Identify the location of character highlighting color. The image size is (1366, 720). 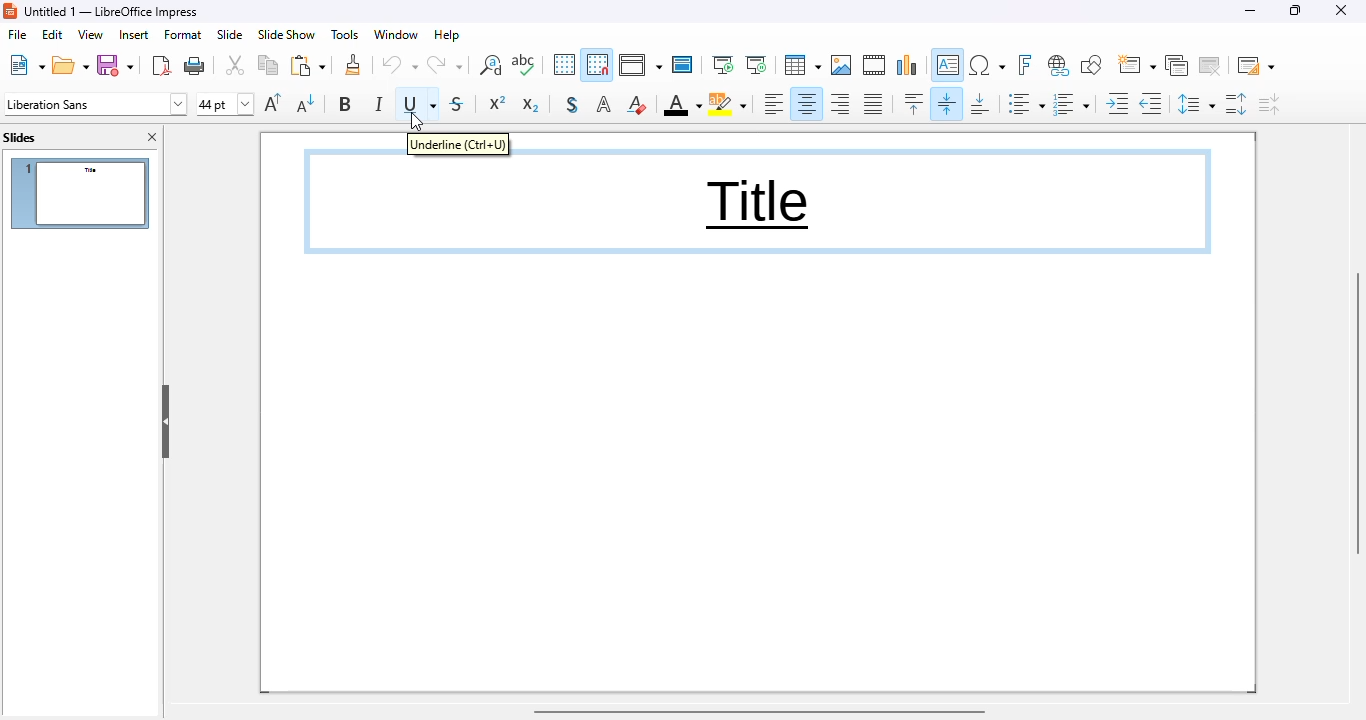
(728, 105).